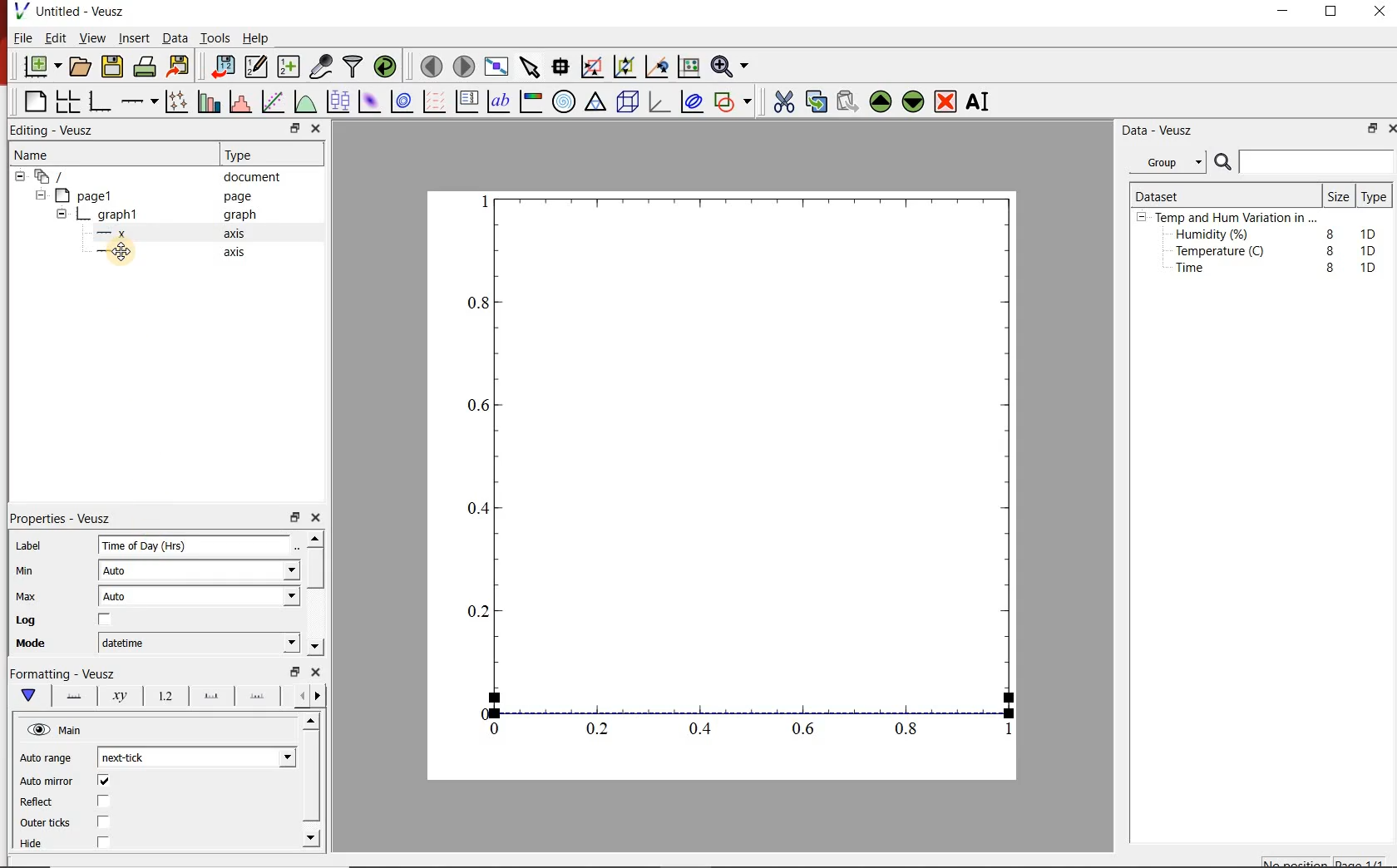  What do you see at coordinates (210, 695) in the screenshot?
I see `major ticks` at bounding box center [210, 695].